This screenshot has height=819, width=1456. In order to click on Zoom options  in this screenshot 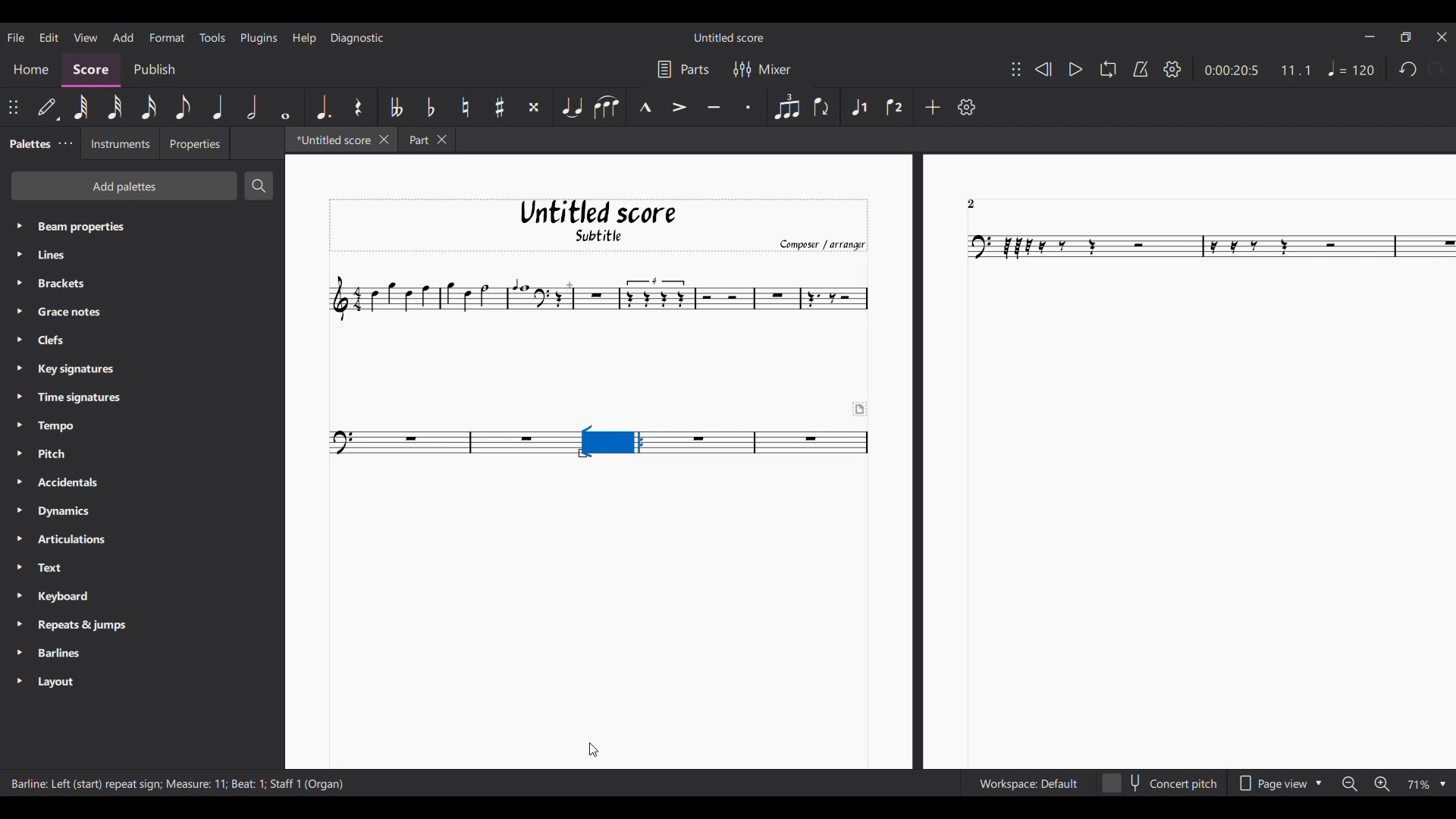, I will do `click(1426, 785)`.